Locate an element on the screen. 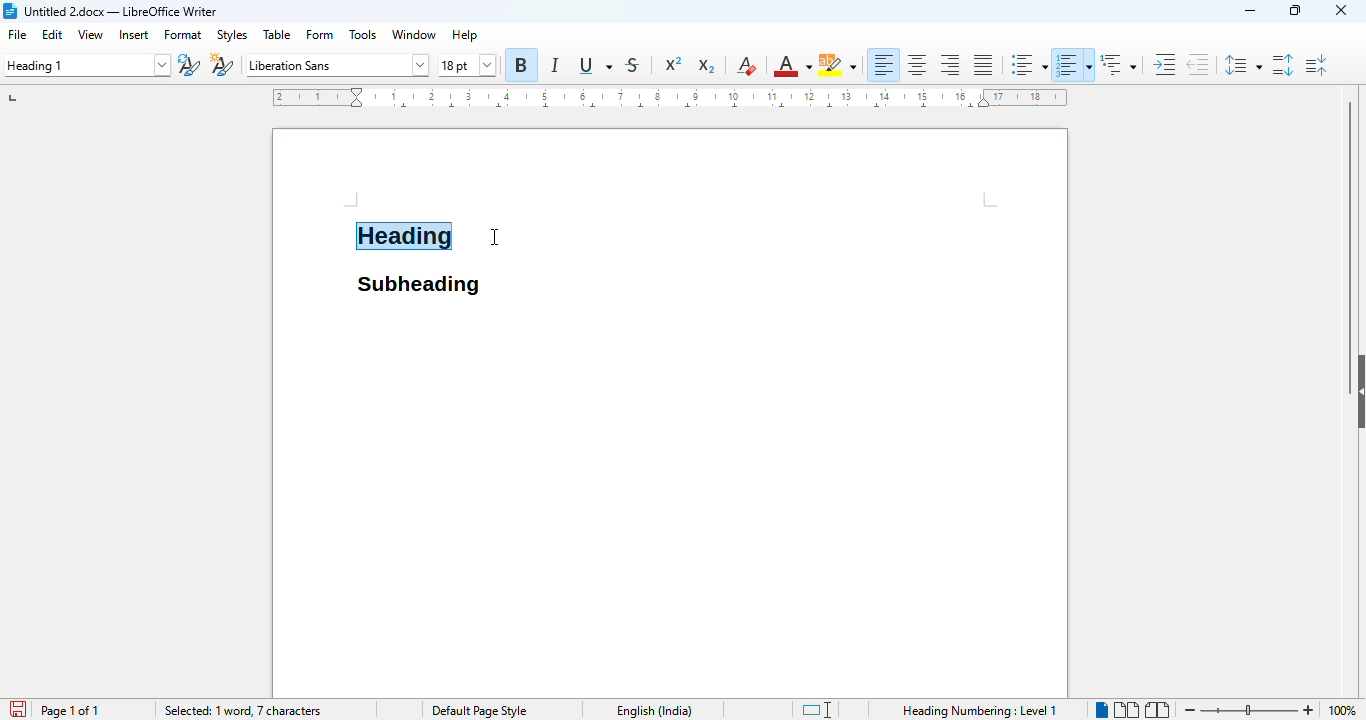  page 1 of 1 is located at coordinates (69, 710).